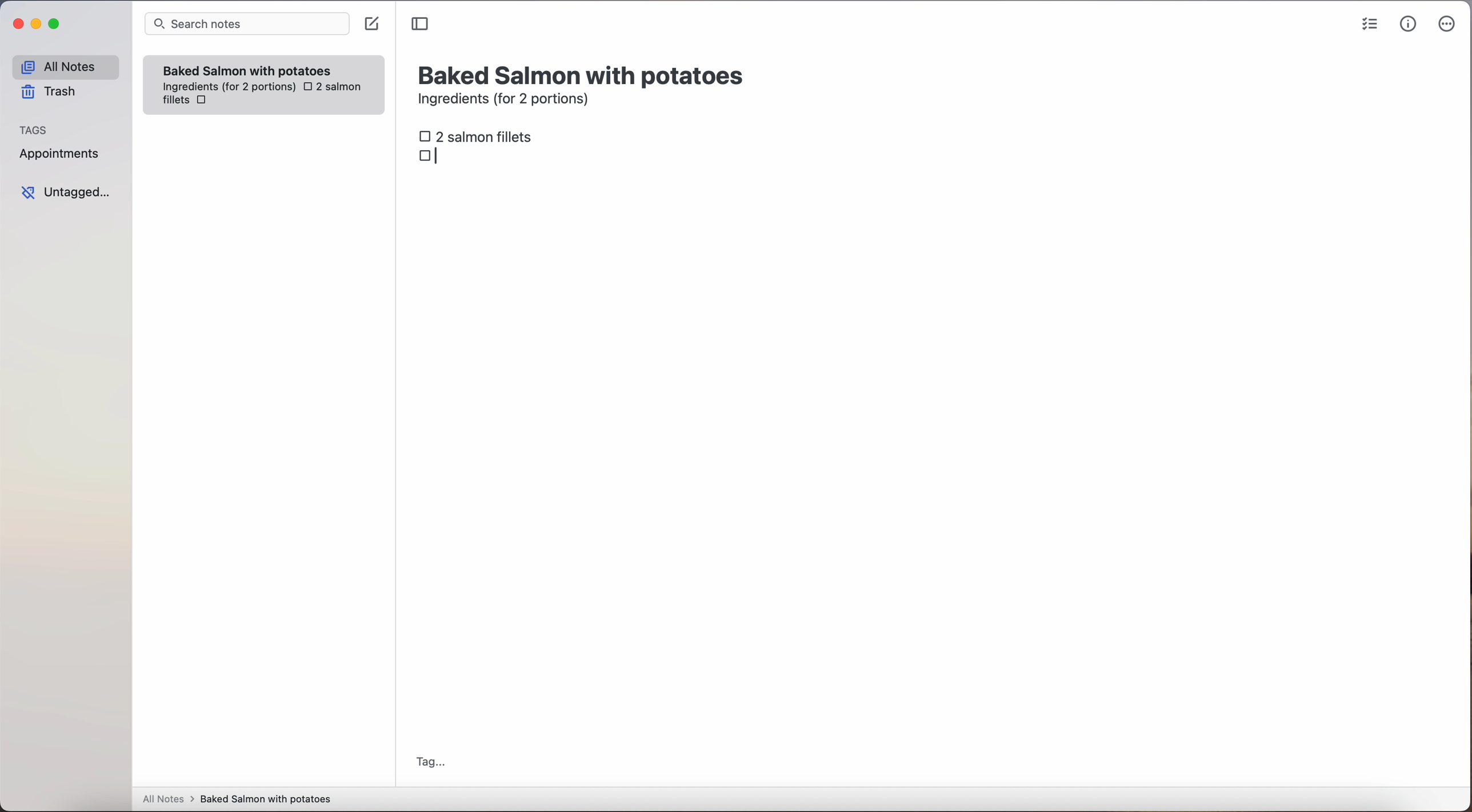 The image size is (1472, 812). What do you see at coordinates (61, 151) in the screenshot?
I see `appointments tag` at bounding box center [61, 151].